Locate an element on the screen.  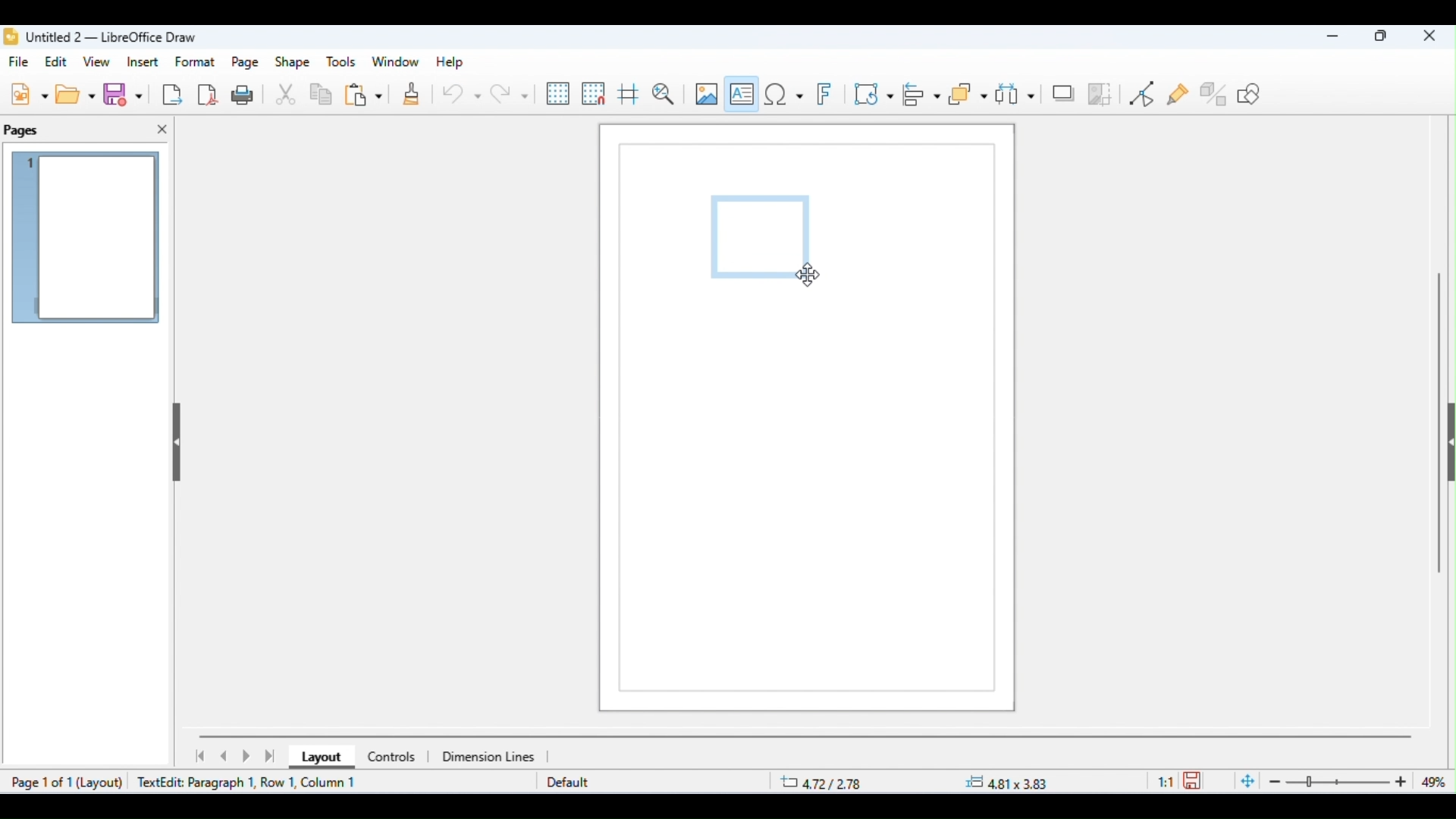
how draw functions is located at coordinates (1250, 93).